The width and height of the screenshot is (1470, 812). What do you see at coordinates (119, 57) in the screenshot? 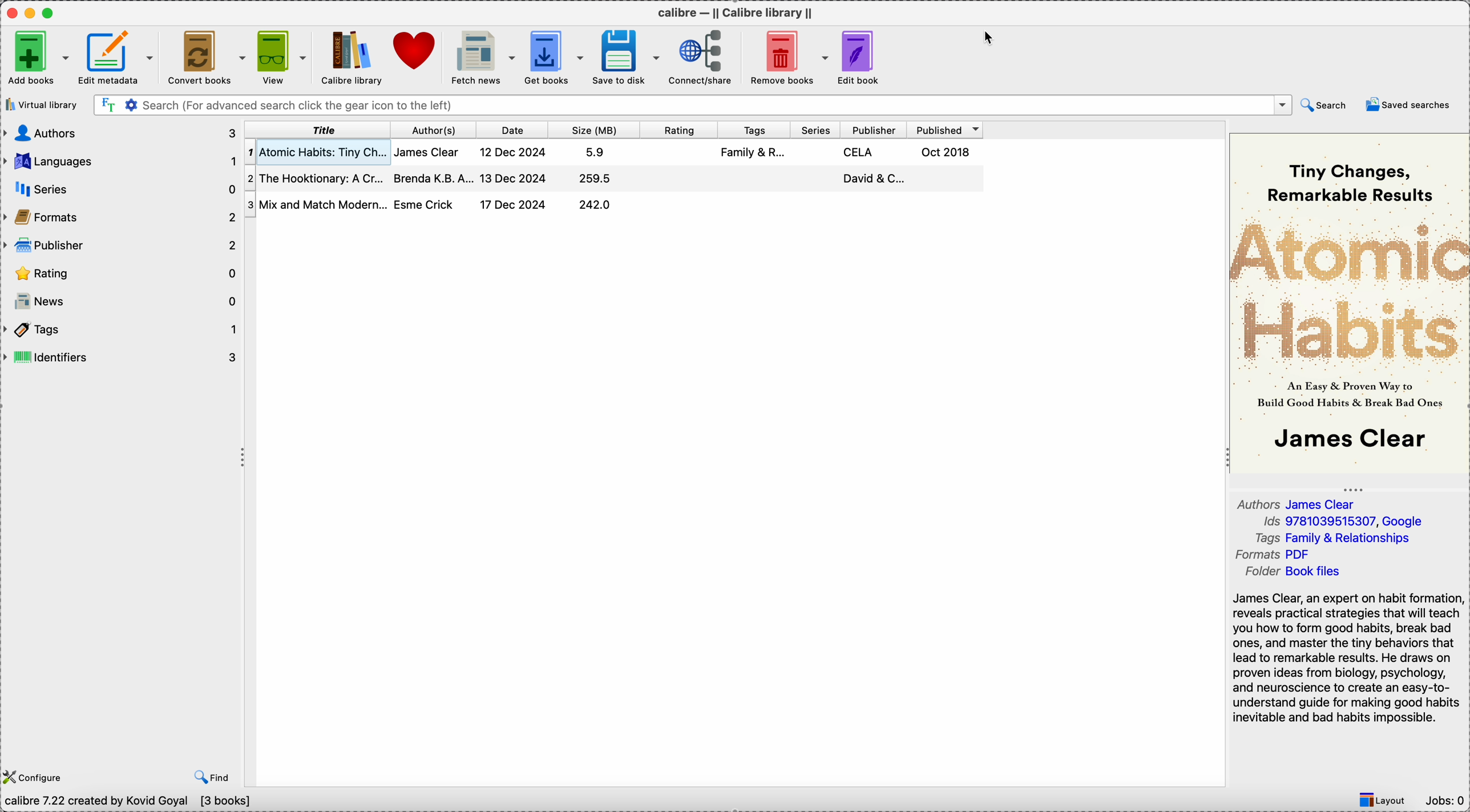
I see `edit metadata` at bounding box center [119, 57].